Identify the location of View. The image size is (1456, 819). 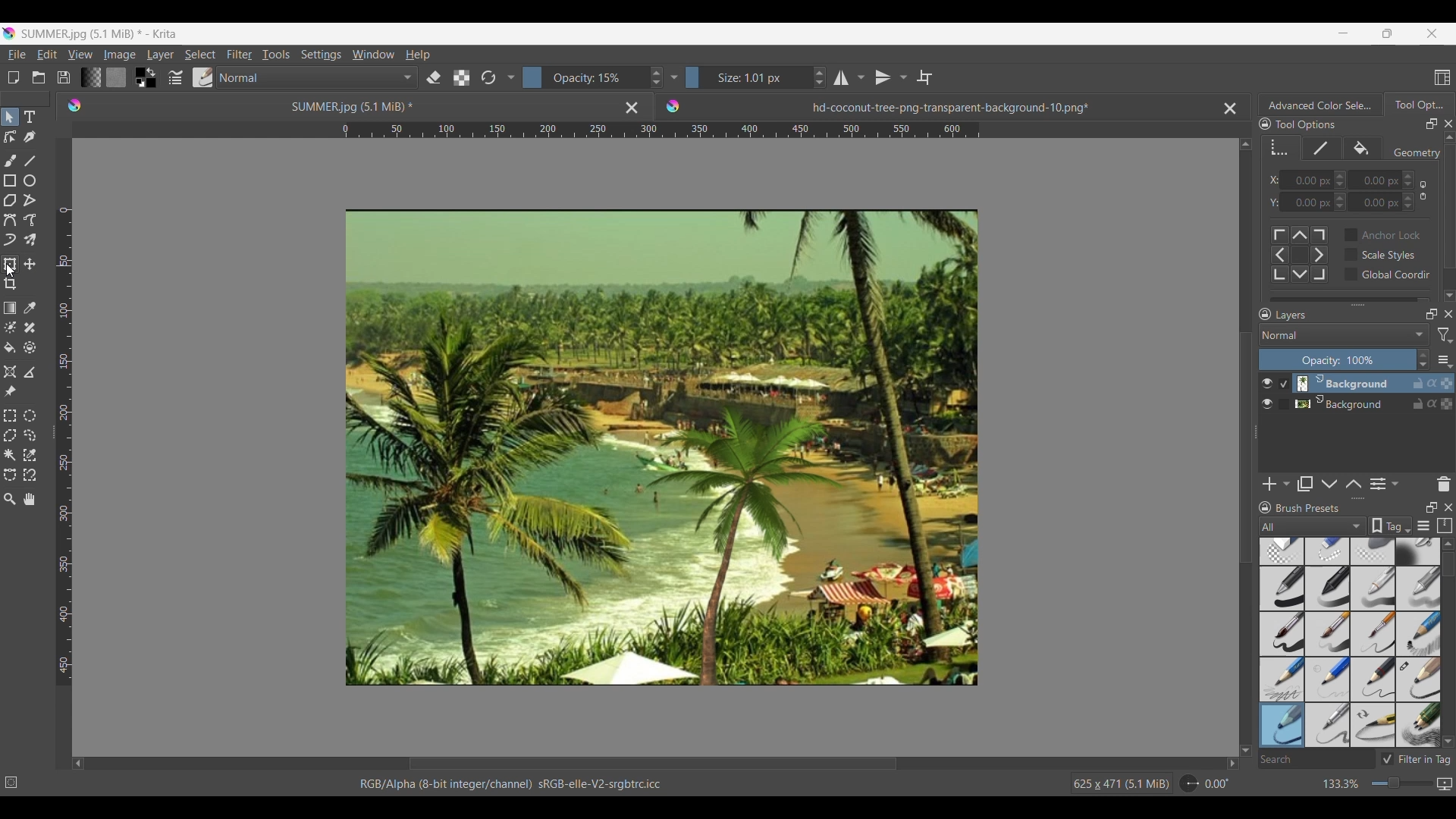
(80, 55).